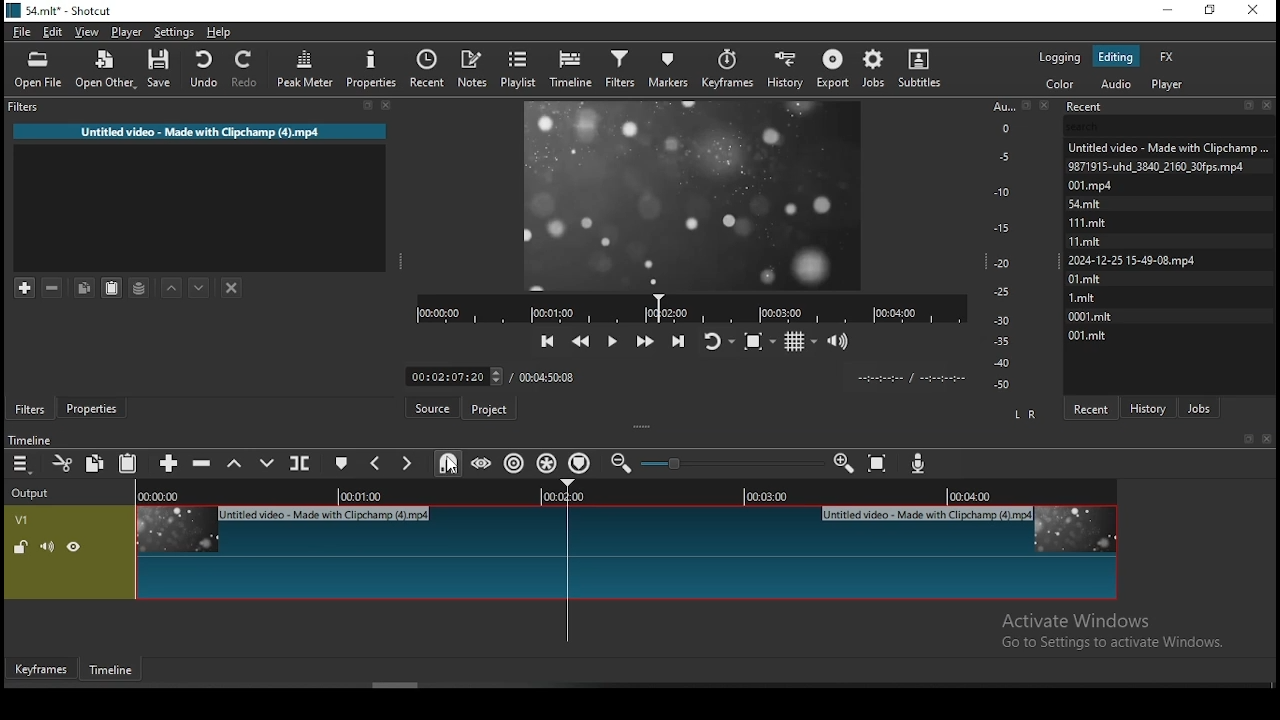 This screenshot has width=1280, height=720. What do you see at coordinates (234, 463) in the screenshot?
I see `lift` at bounding box center [234, 463].